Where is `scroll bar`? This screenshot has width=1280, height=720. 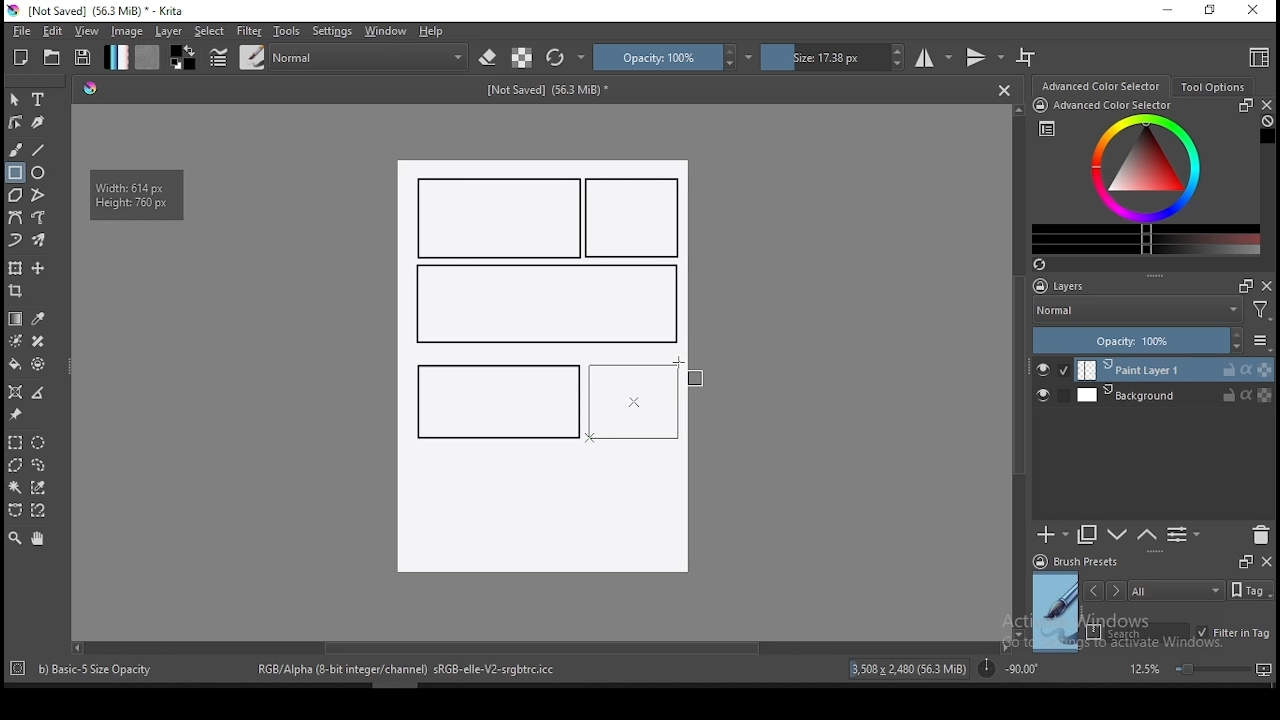 scroll bar is located at coordinates (539, 646).